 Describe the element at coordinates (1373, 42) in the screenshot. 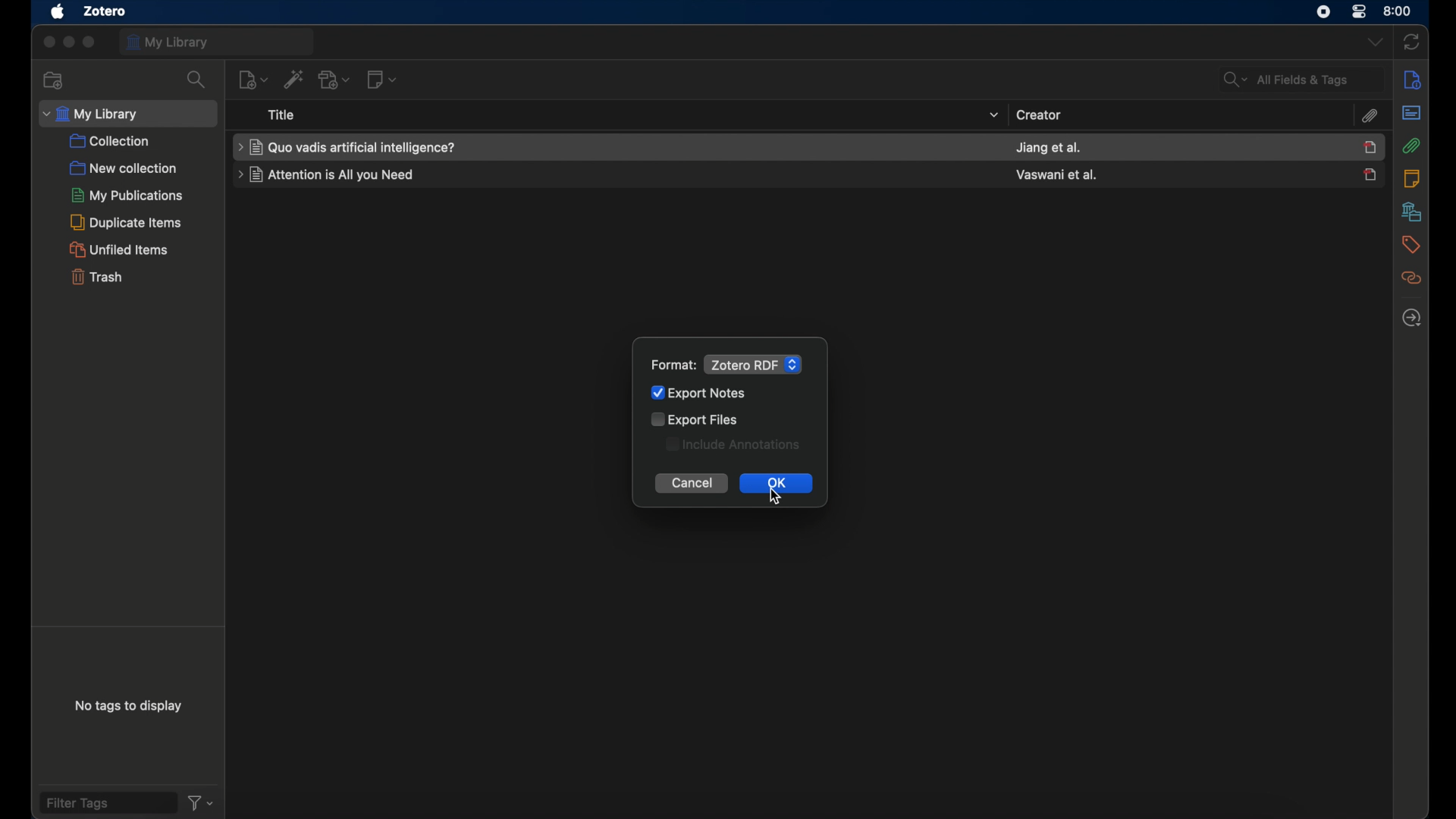

I see `dropdown menu` at that location.